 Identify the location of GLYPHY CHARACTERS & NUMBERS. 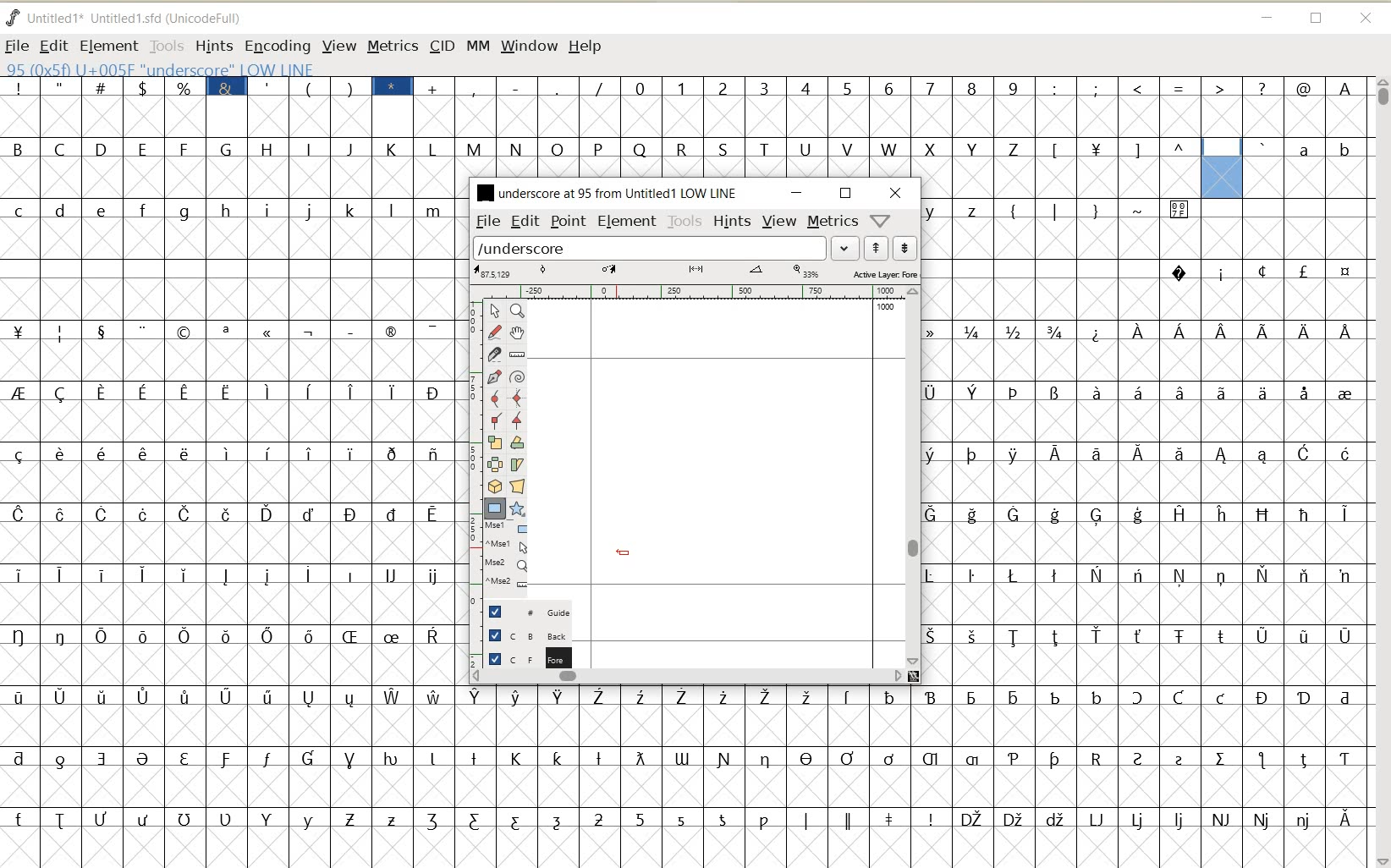
(913, 100).